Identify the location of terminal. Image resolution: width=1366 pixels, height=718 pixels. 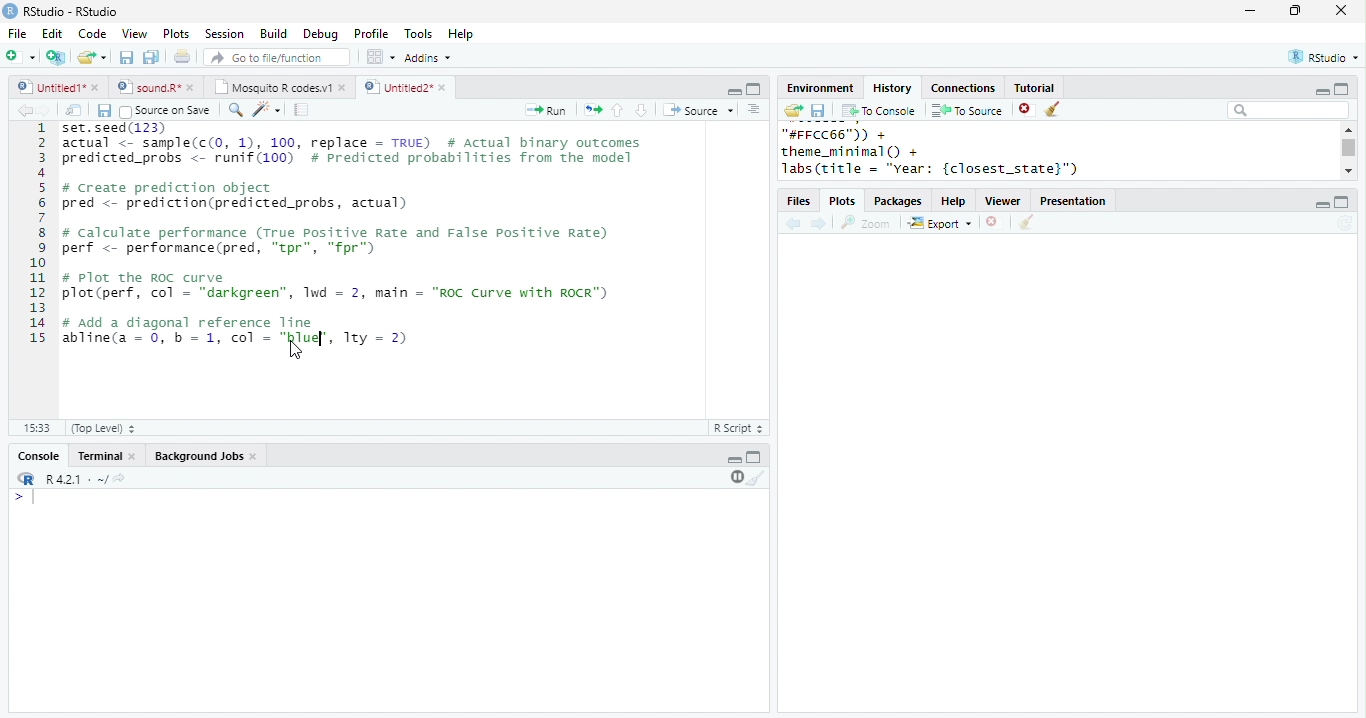
(97, 457).